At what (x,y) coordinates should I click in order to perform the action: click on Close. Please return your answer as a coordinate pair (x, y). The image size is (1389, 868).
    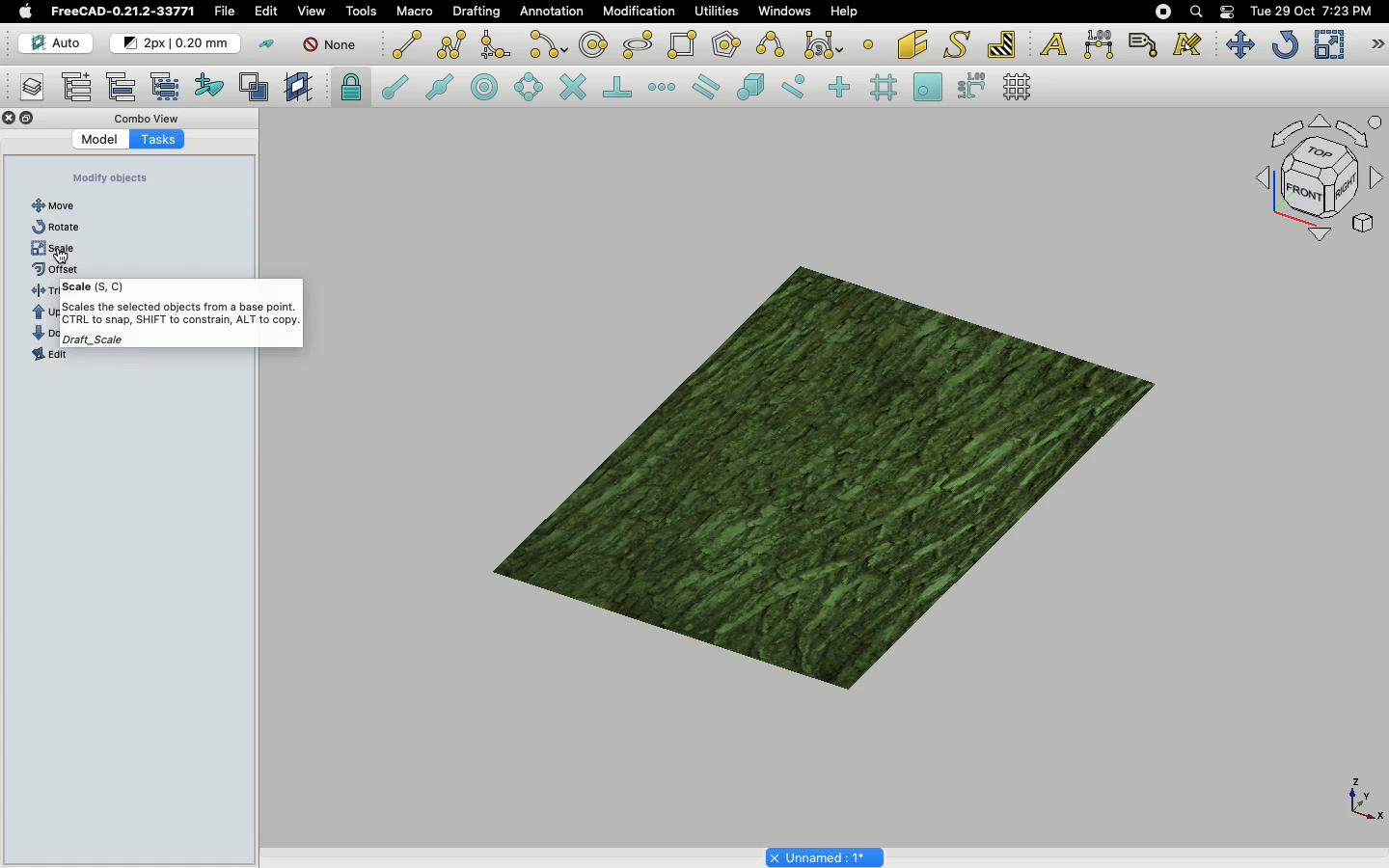
    Looking at the image, I should click on (8, 118).